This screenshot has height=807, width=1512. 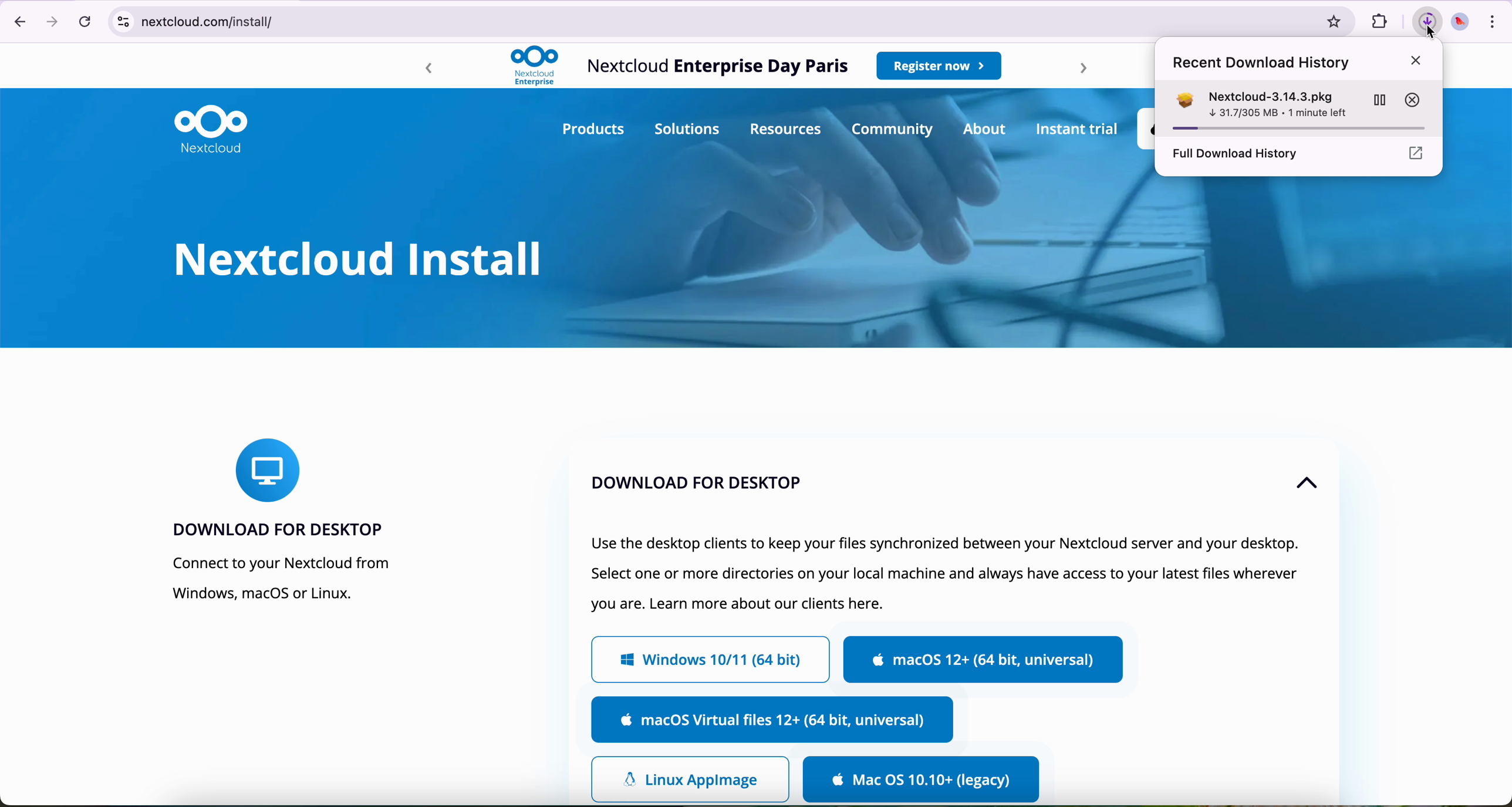 What do you see at coordinates (774, 722) in the screenshot?
I see `MacOs Virtual files 12+ (64 bit, universal)` at bounding box center [774, 722].